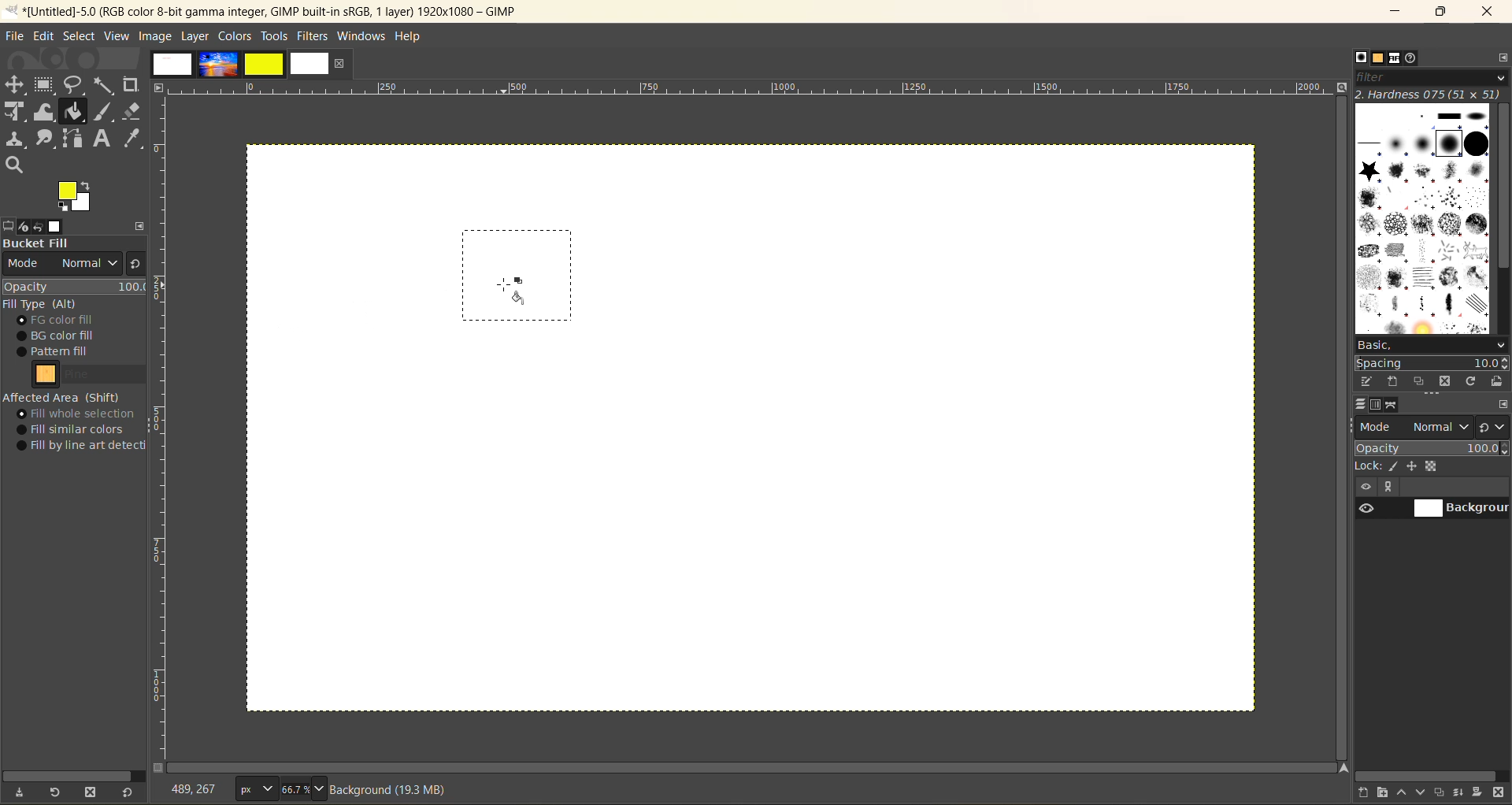 Image resolution: width=1512 pixels, height=805 pixels. I want to click on undo history, so click(37, 228).